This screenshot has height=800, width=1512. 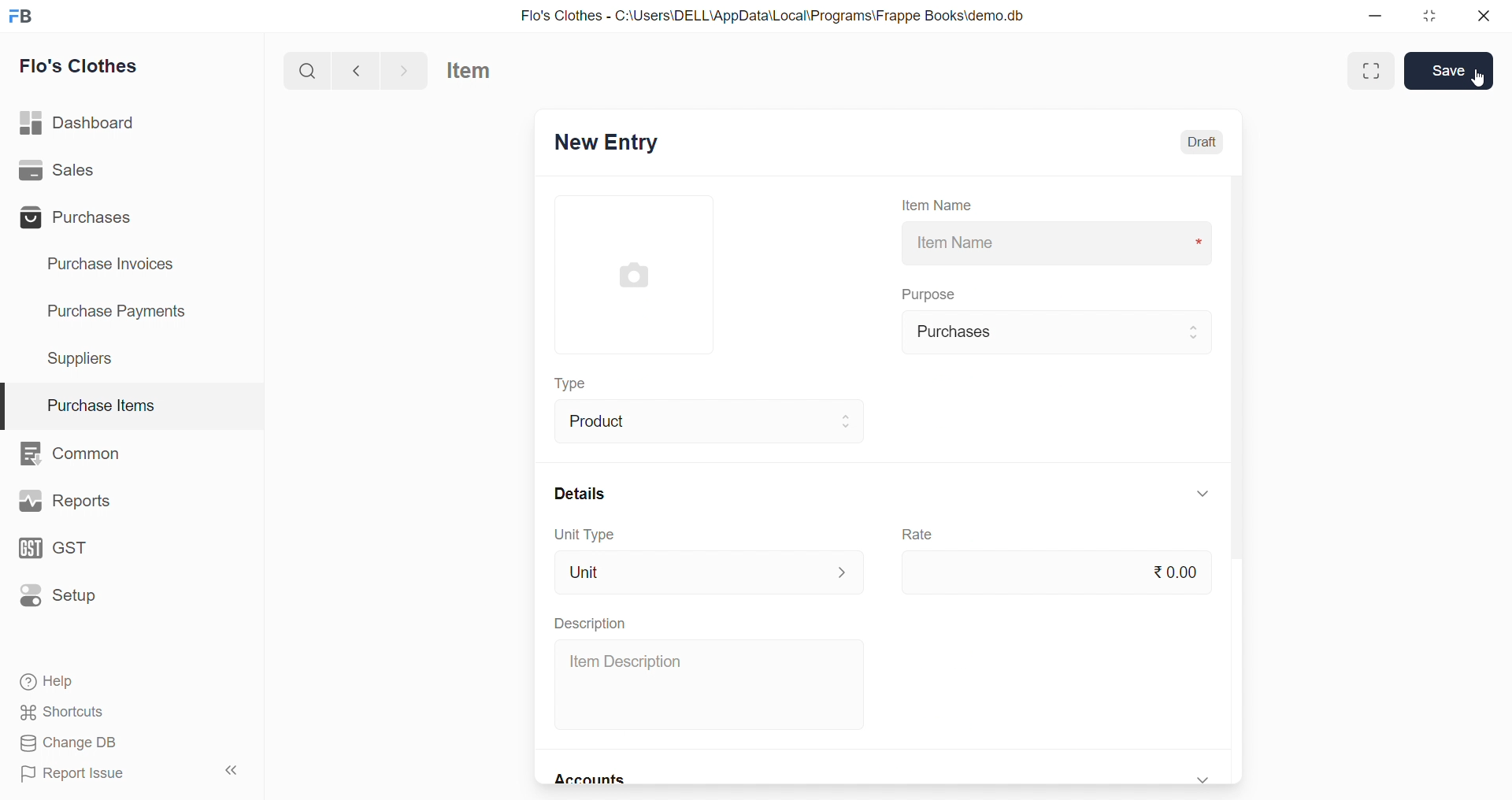 What do you see at coordinates (589, 623) in the screenshot?
I see `Description` at bounding box center [589, 623].